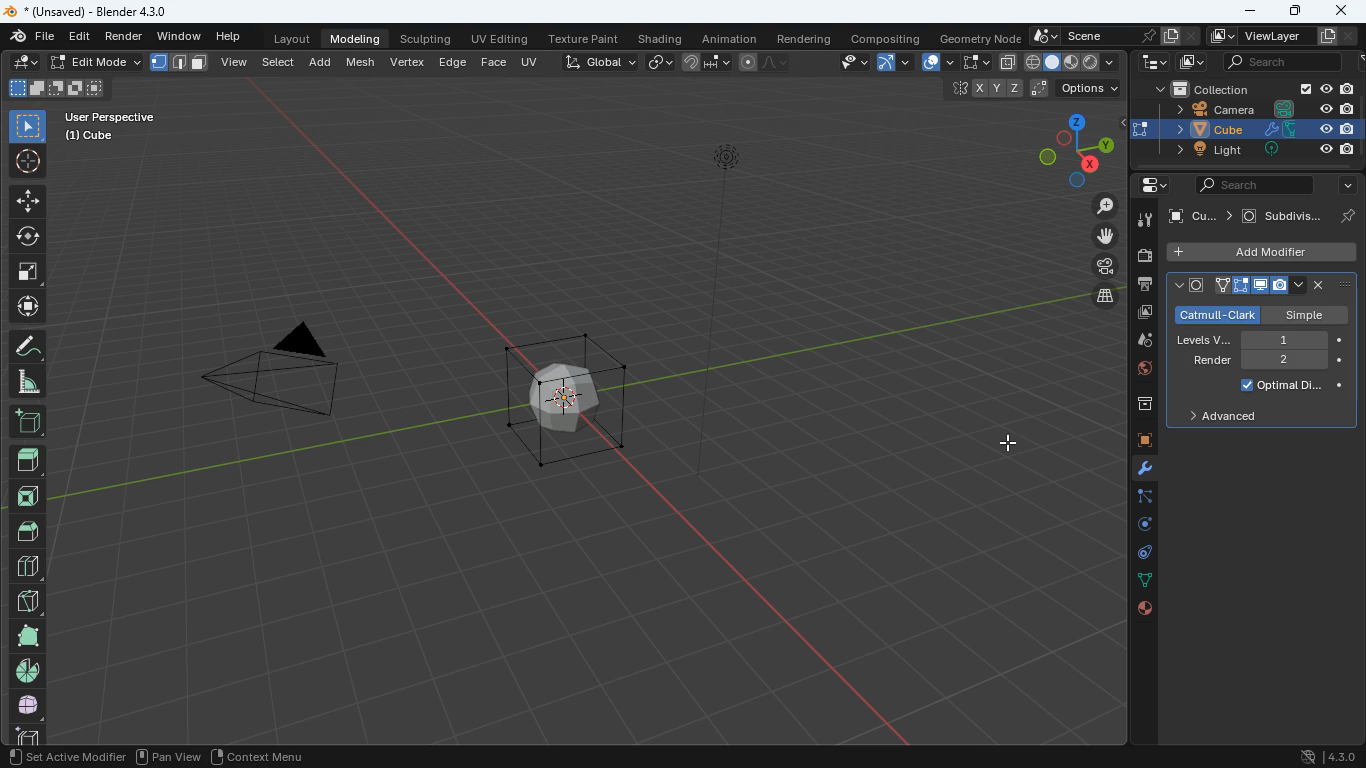 This screenshot has height=768, width=1366. What do you see at coordinates (1152, 62) in the screenshot?
I see `tecch` at bounding box center [1152, 62].